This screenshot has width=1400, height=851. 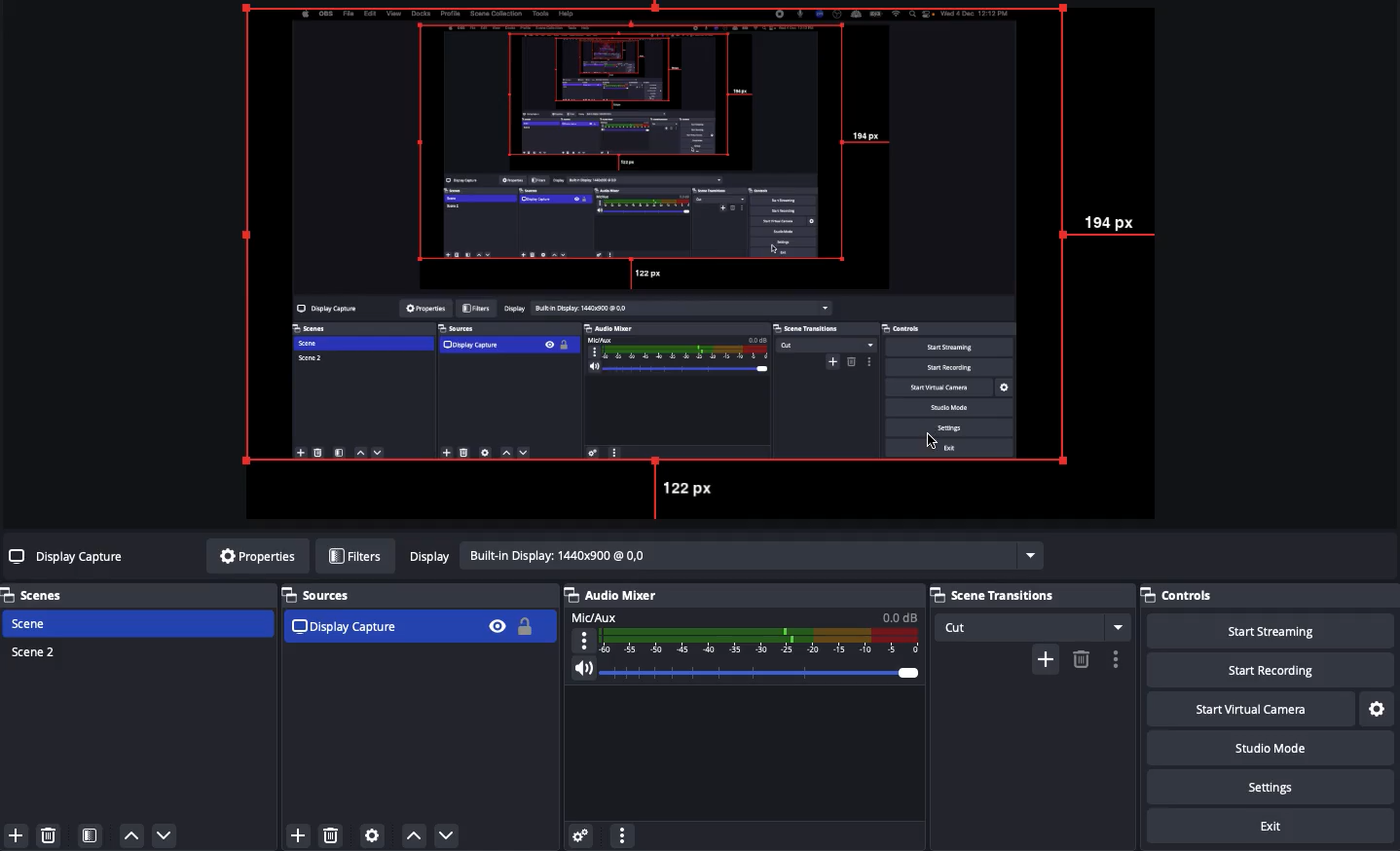 I want to click on Sources, so click(x=417, y=615).